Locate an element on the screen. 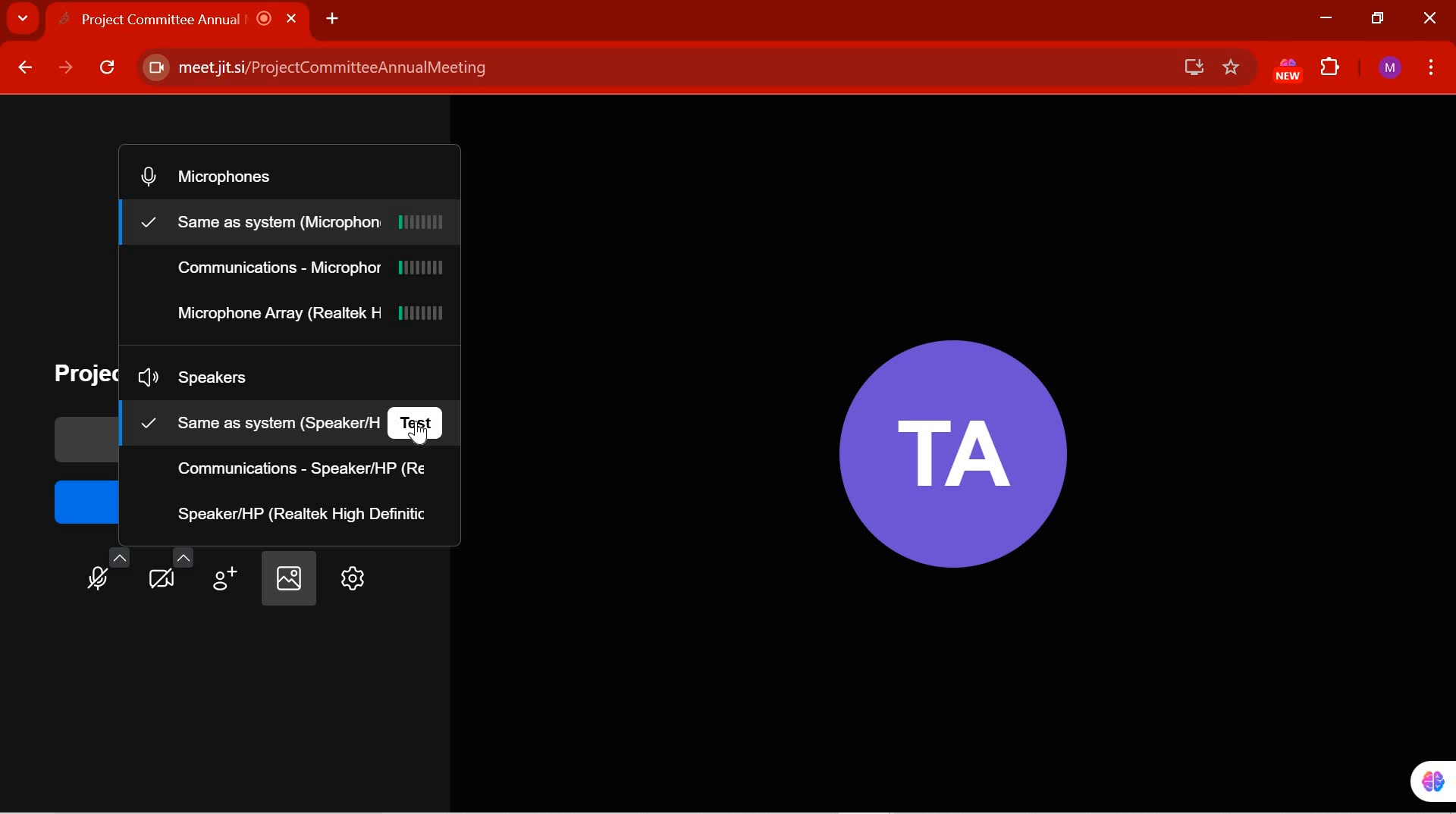  meet jitsi/ProjectCommitteeAnnualMeeting is located at coordinates (647, 68).